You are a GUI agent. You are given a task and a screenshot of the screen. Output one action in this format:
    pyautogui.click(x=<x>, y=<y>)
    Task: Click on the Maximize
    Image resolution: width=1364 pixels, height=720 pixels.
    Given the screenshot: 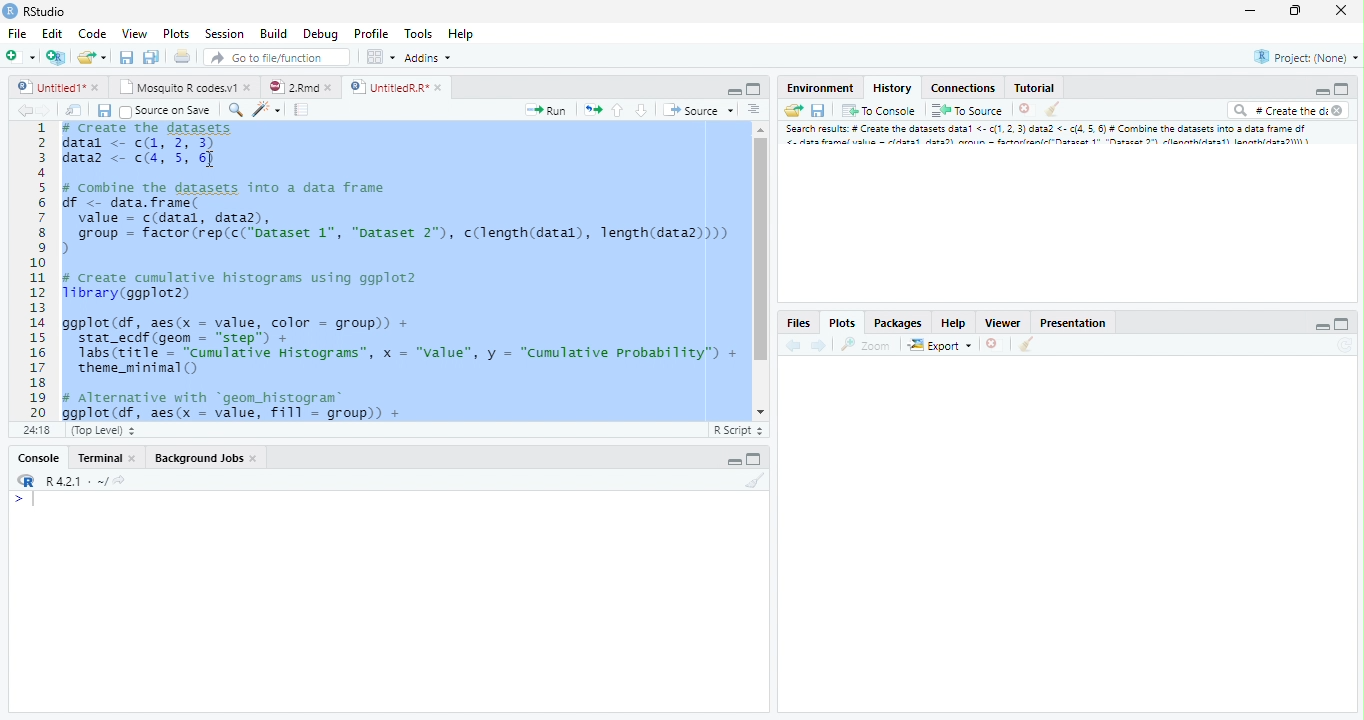 What is the action you would take?
    pyautogui.click(x=1294, y=11)
    